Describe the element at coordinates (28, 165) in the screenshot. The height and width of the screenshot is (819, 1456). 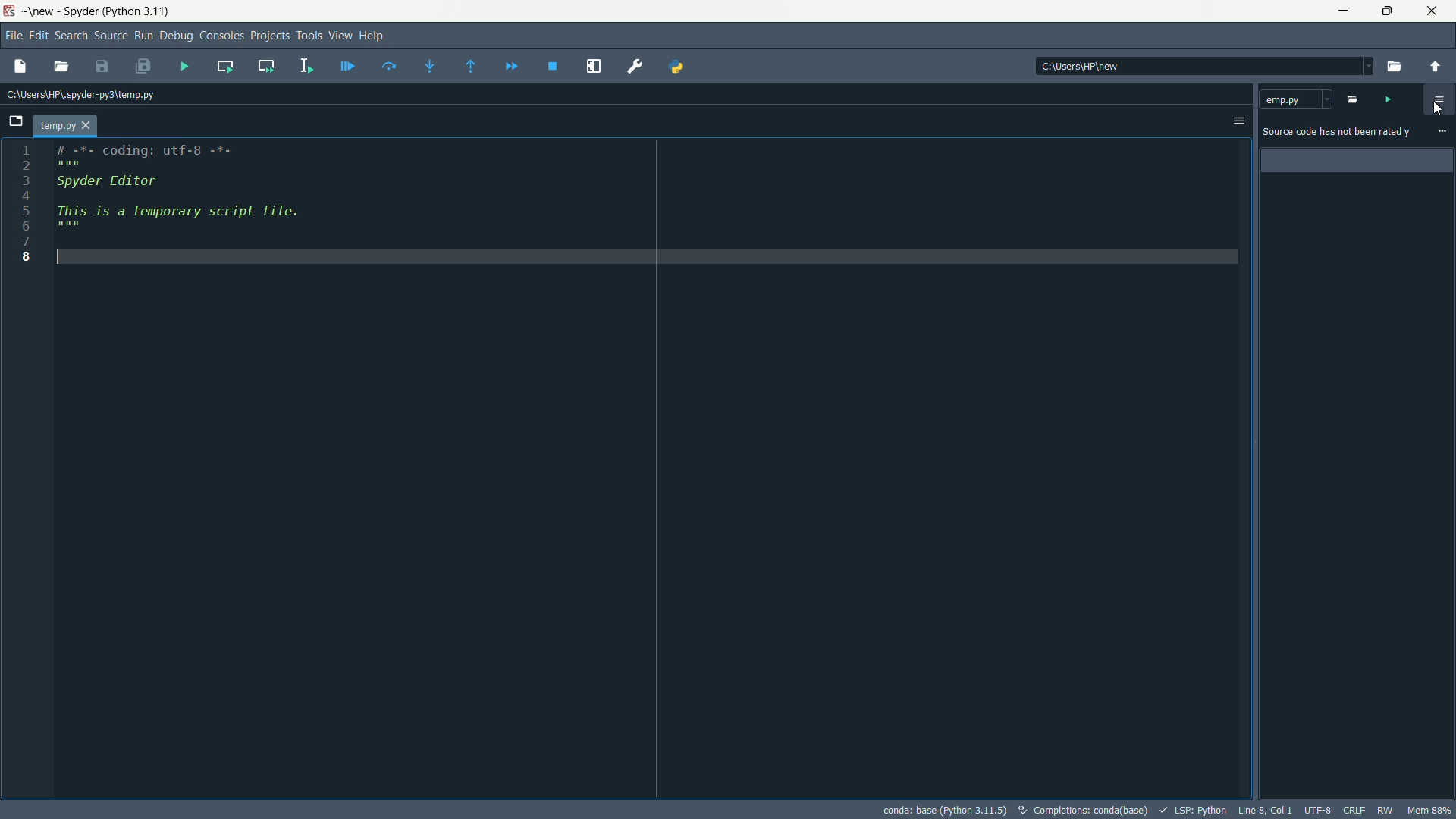
I see `2` at that location.